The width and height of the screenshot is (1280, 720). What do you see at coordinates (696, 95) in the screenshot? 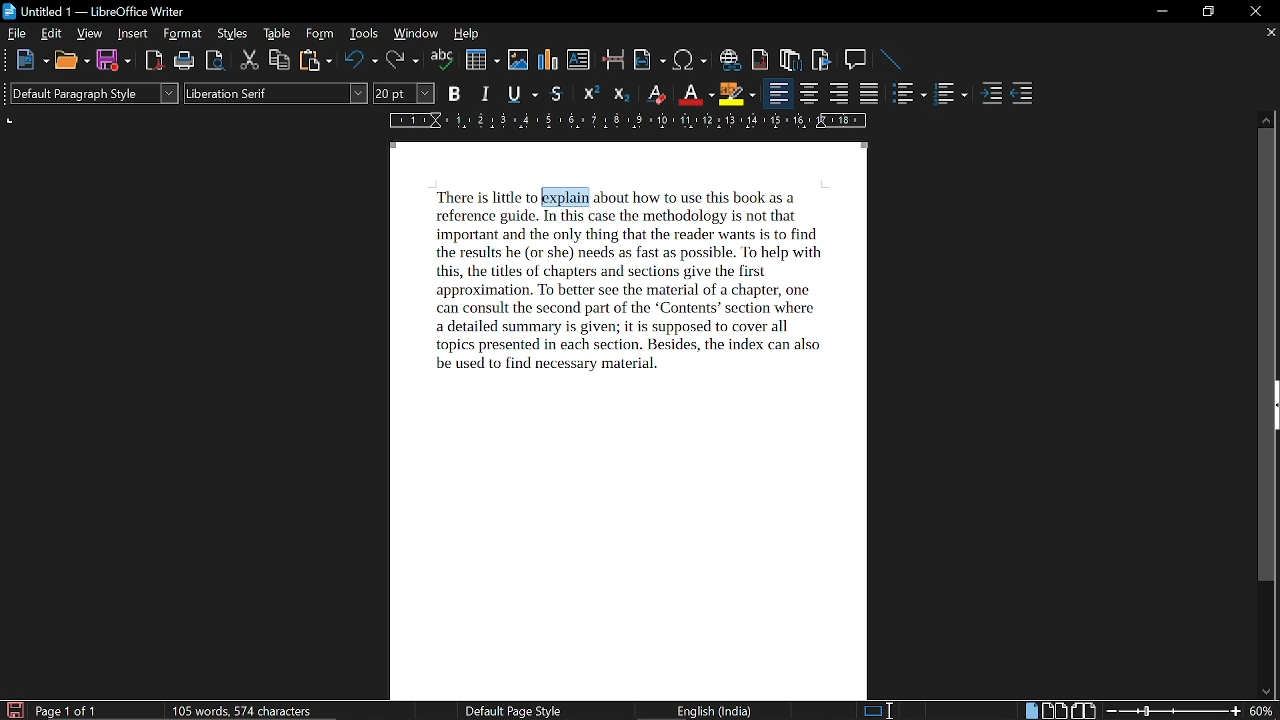
I see `text color` at bounding box center [696, 95].